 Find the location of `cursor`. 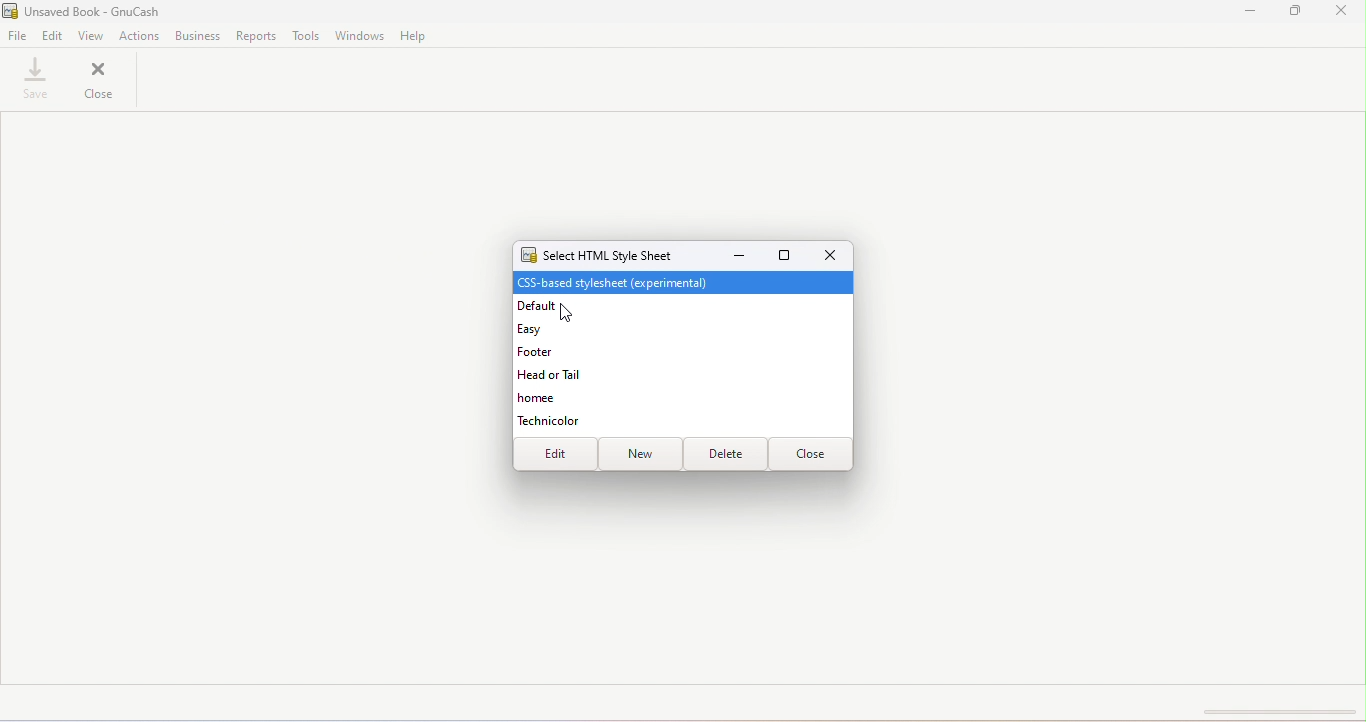

cursor is located at coordinates (563, 314).